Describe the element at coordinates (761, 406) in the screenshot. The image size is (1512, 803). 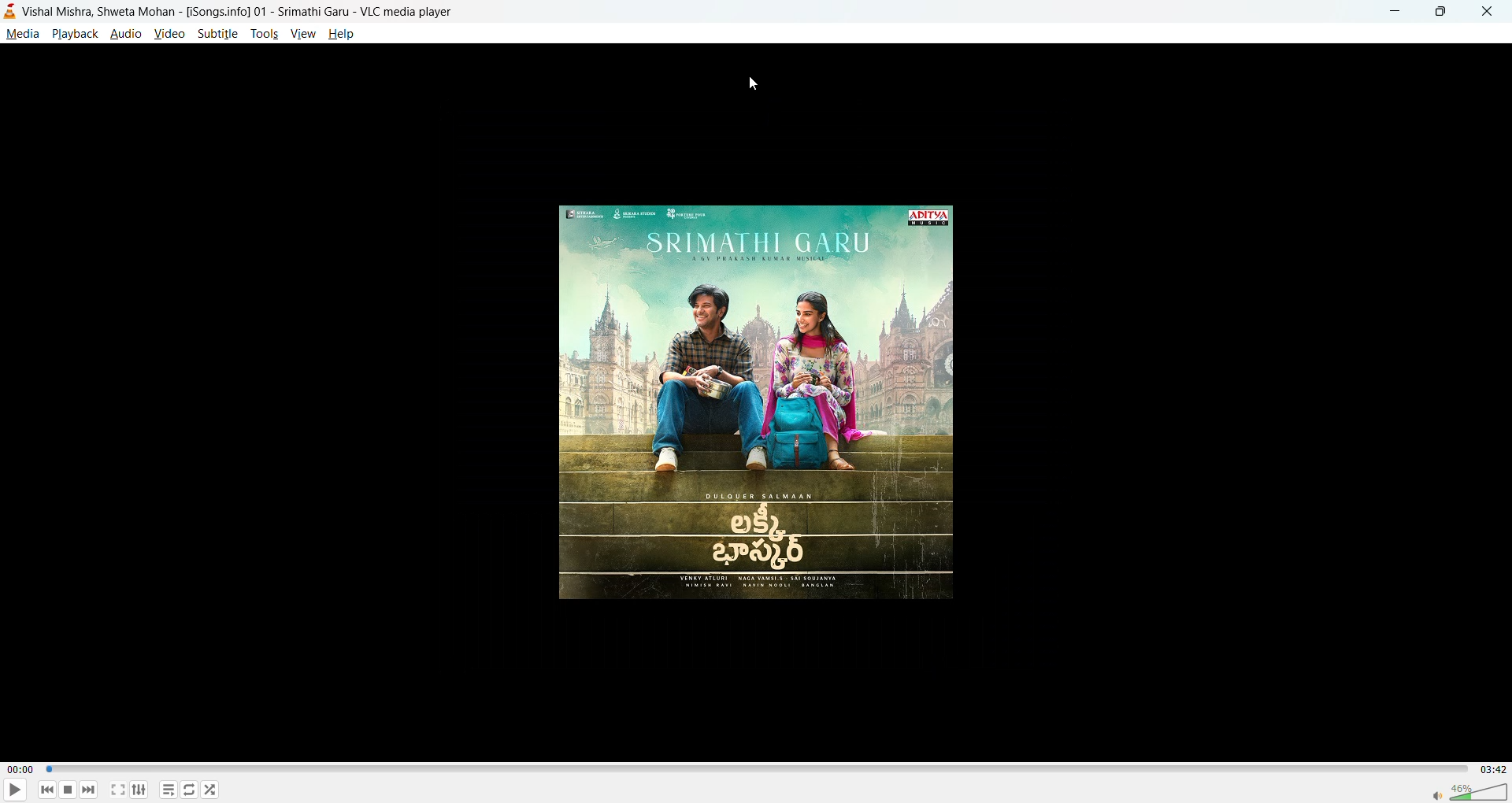
I see `thumbnail` at that location.